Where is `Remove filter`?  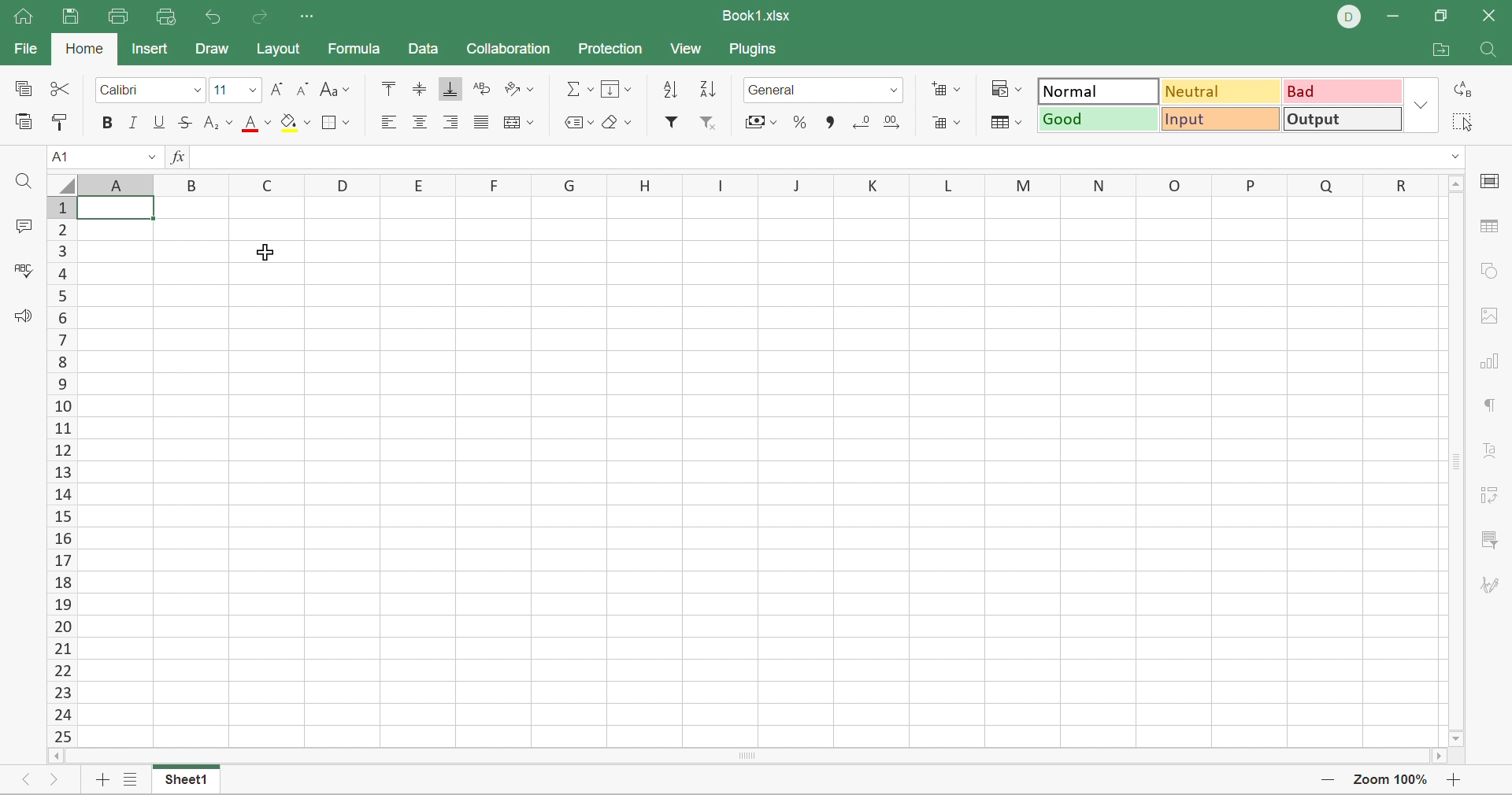
Remove filter is located at coordinates (710, 121).